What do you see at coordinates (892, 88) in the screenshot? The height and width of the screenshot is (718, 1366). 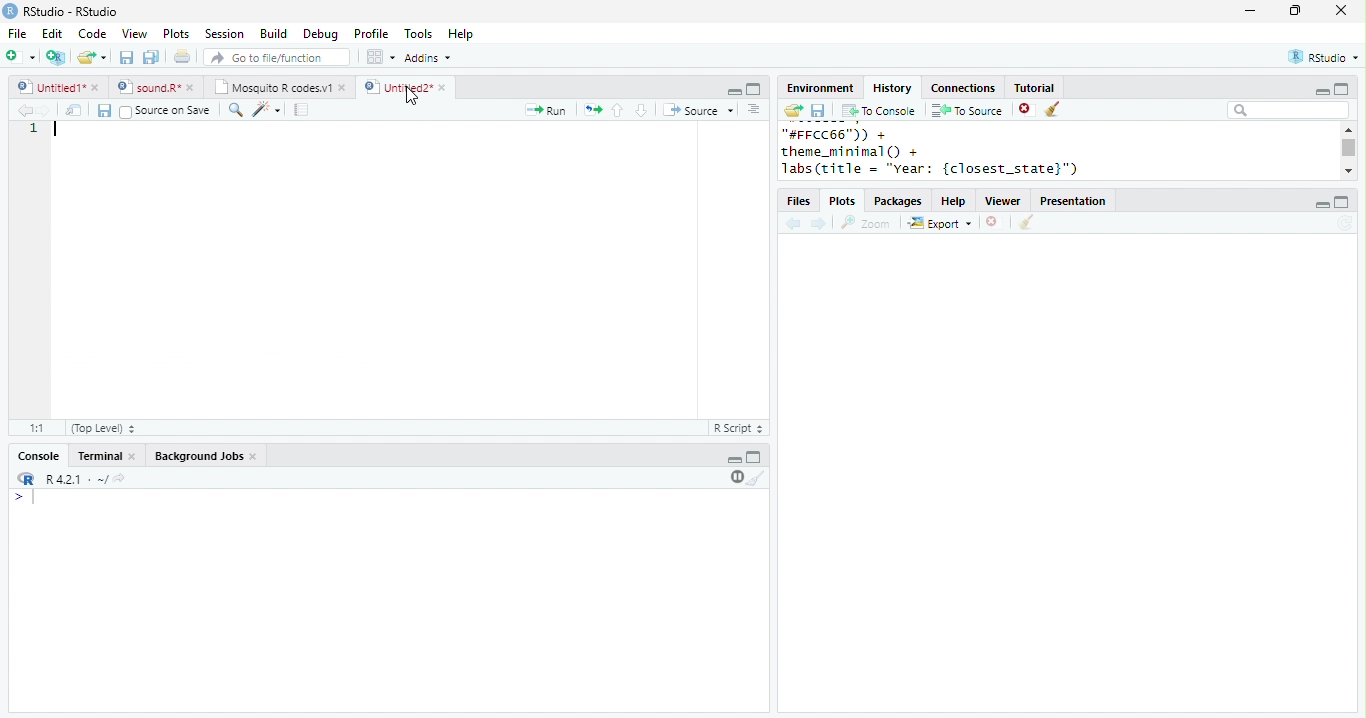 I see `History` at bounding box center [892, 88].